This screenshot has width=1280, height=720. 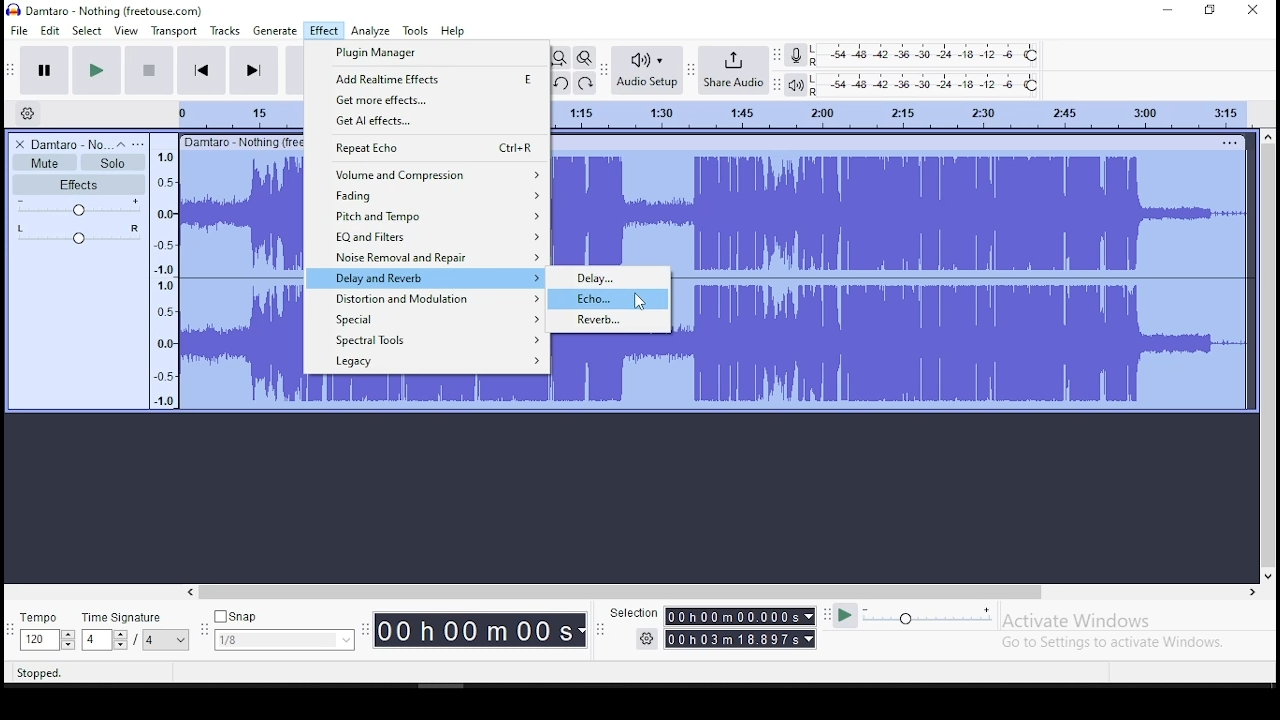 I want to click on pan, so click(x=78, y=233).